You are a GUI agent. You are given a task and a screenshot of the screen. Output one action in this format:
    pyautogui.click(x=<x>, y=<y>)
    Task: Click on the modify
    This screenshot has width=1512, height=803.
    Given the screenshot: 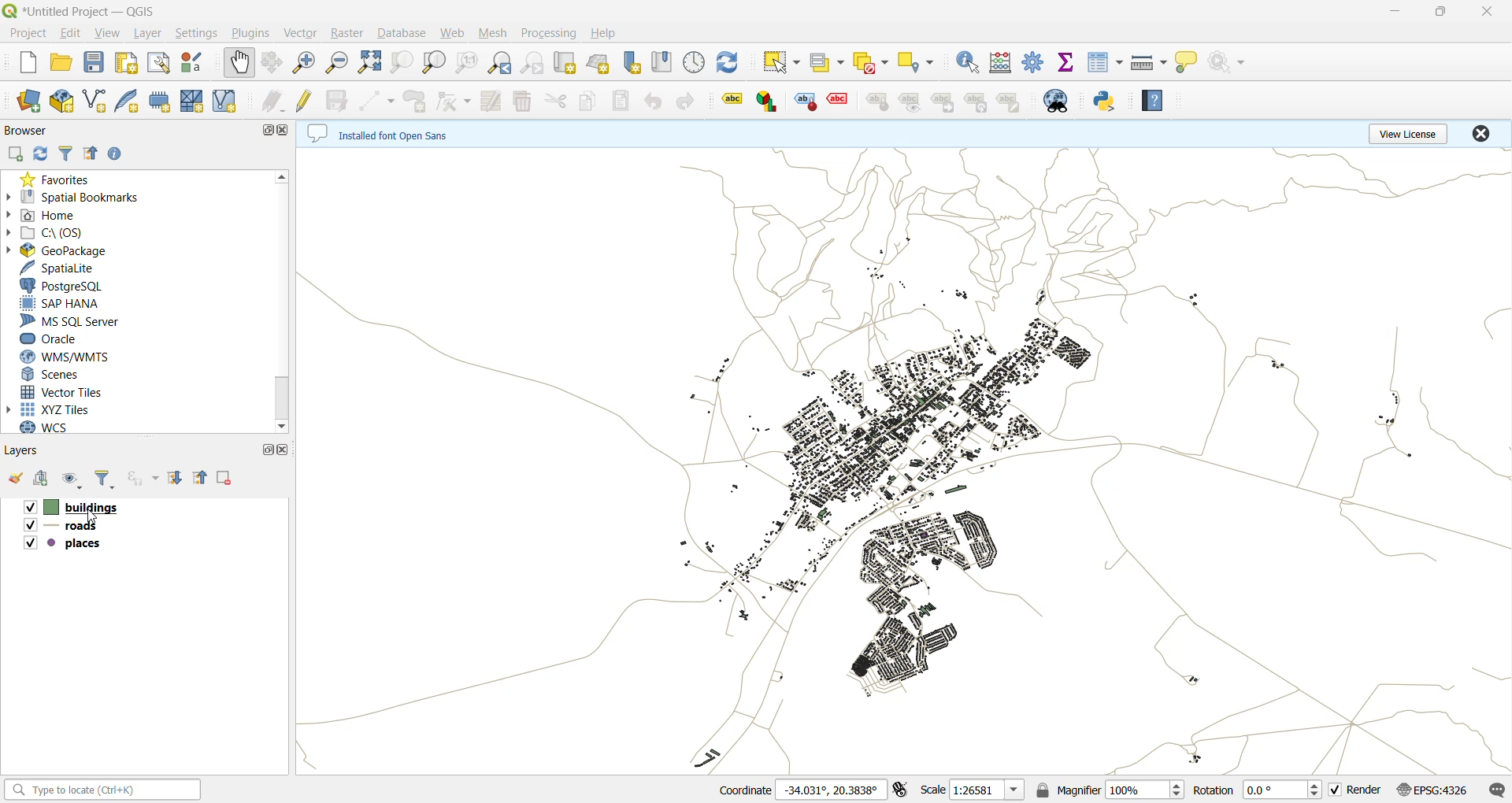 What is the action you would take?
    pyautogui.click(x=493, y=101)
    